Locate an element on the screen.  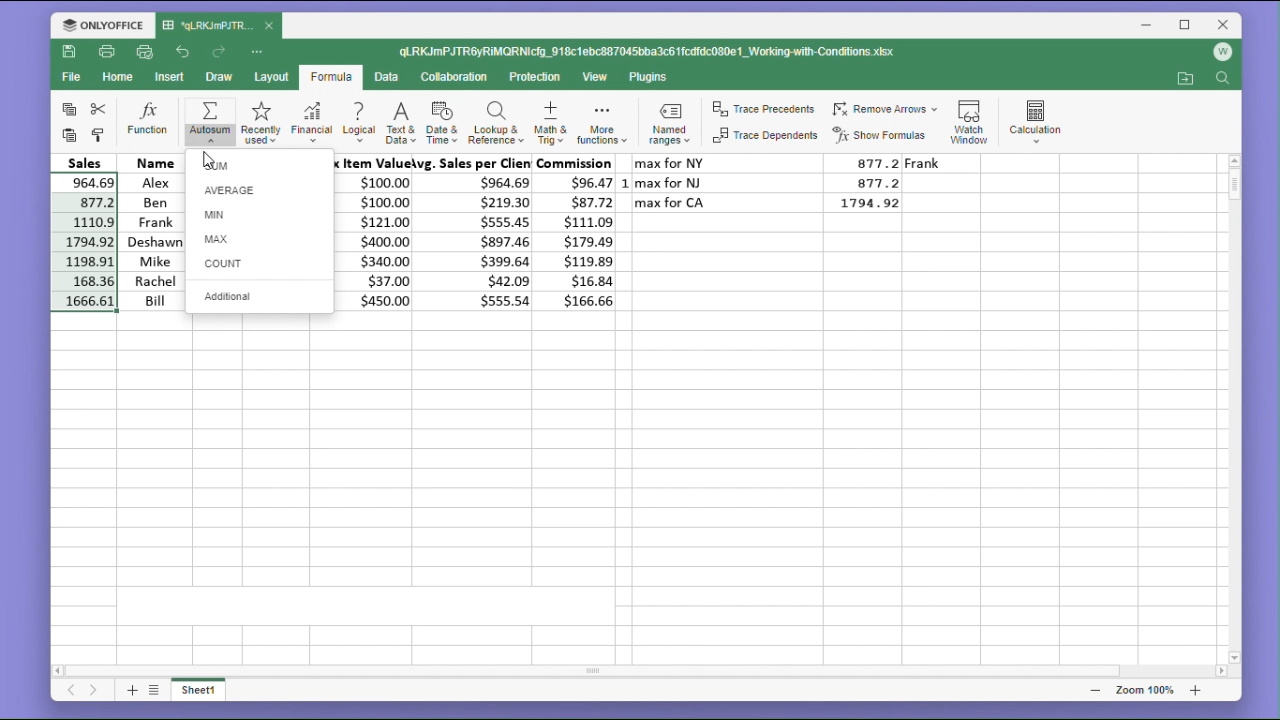
onlyoffice is located at coordinates (98, 24).